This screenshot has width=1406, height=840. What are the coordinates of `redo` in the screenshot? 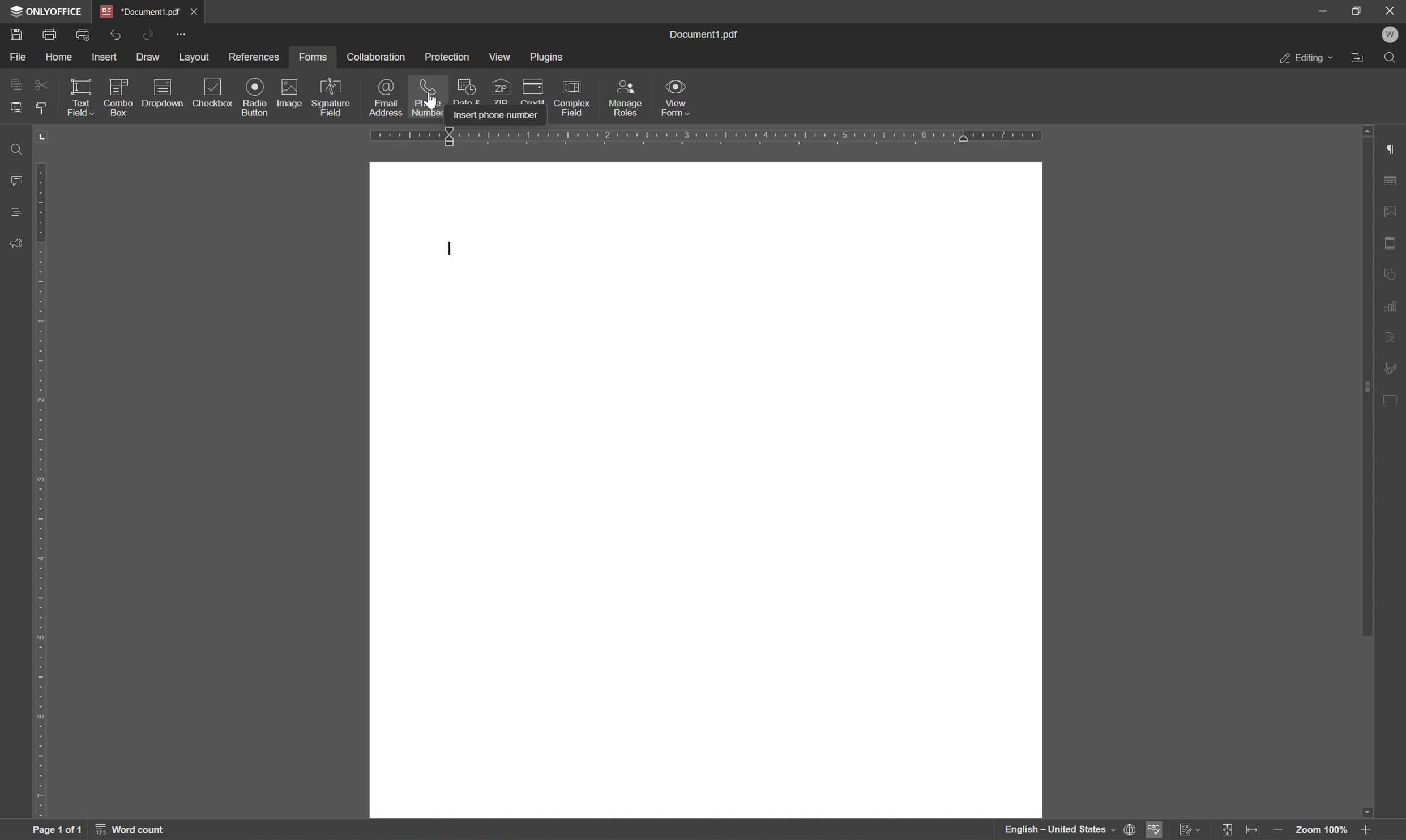 It's located at (149, 35).